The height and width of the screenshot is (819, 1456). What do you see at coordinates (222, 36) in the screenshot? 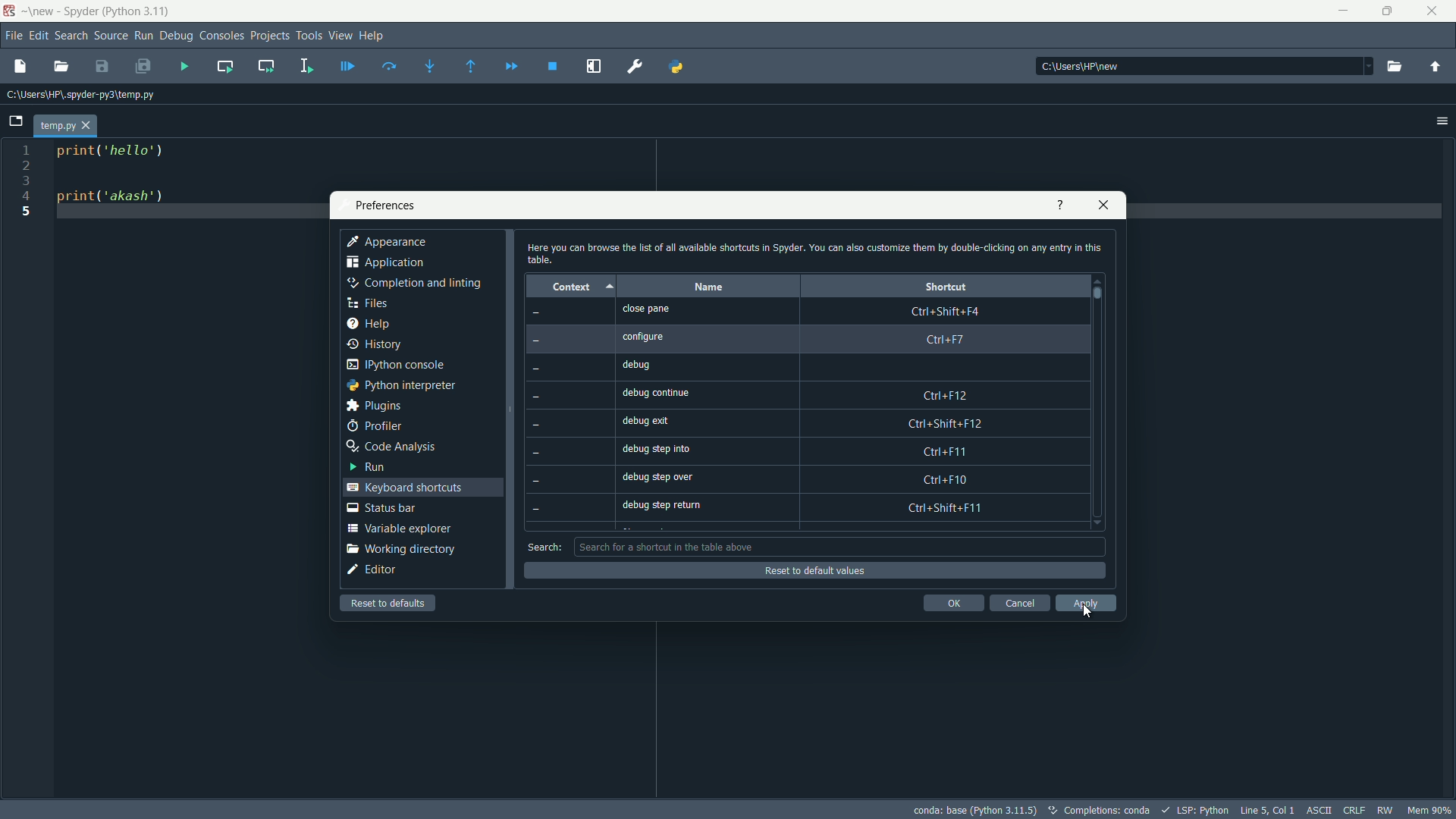
I see `consoles menu` at bounding box center [222, 36].